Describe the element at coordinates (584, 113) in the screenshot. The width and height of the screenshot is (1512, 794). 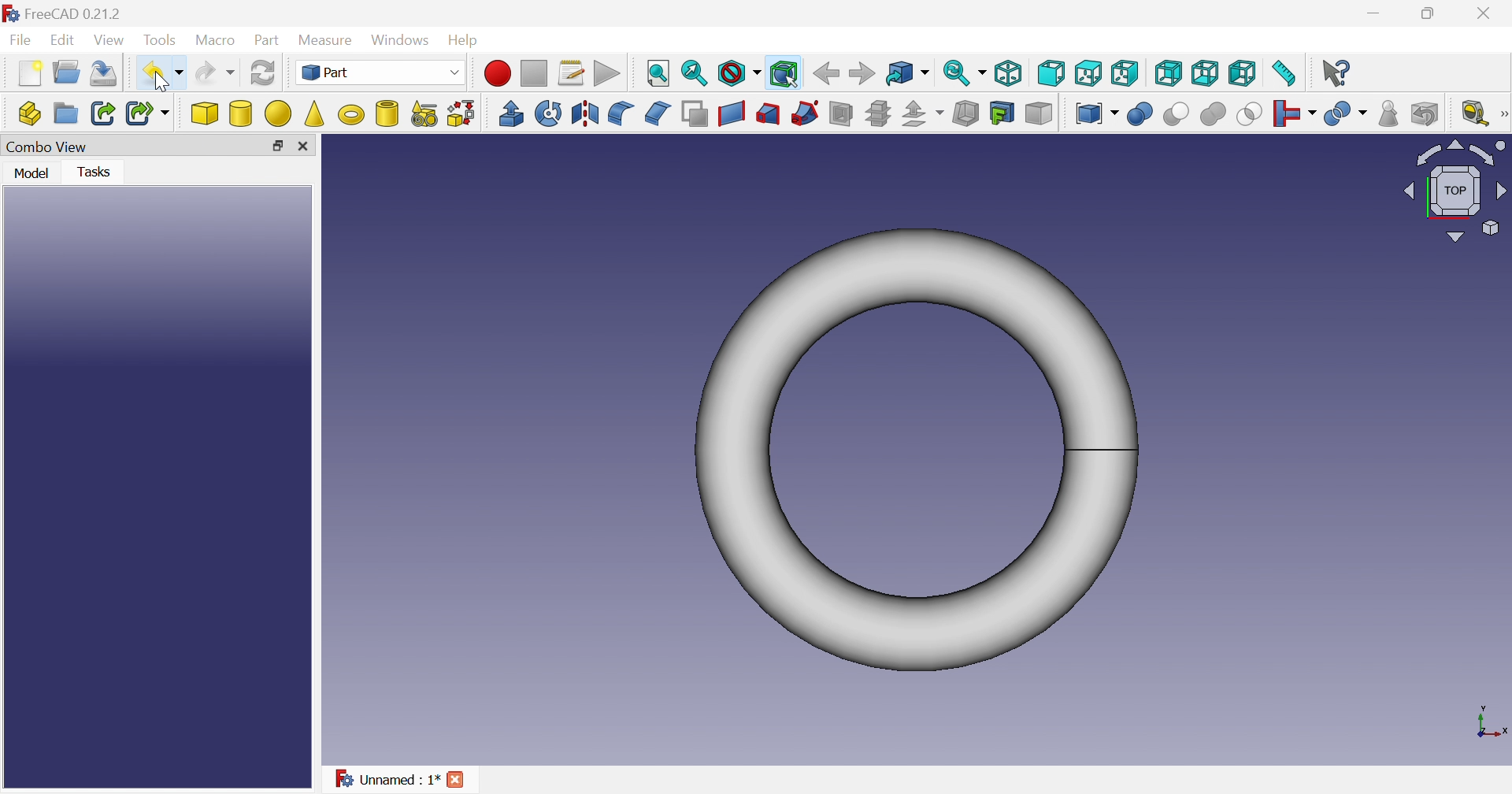
I see `Mirroring...` at that location.